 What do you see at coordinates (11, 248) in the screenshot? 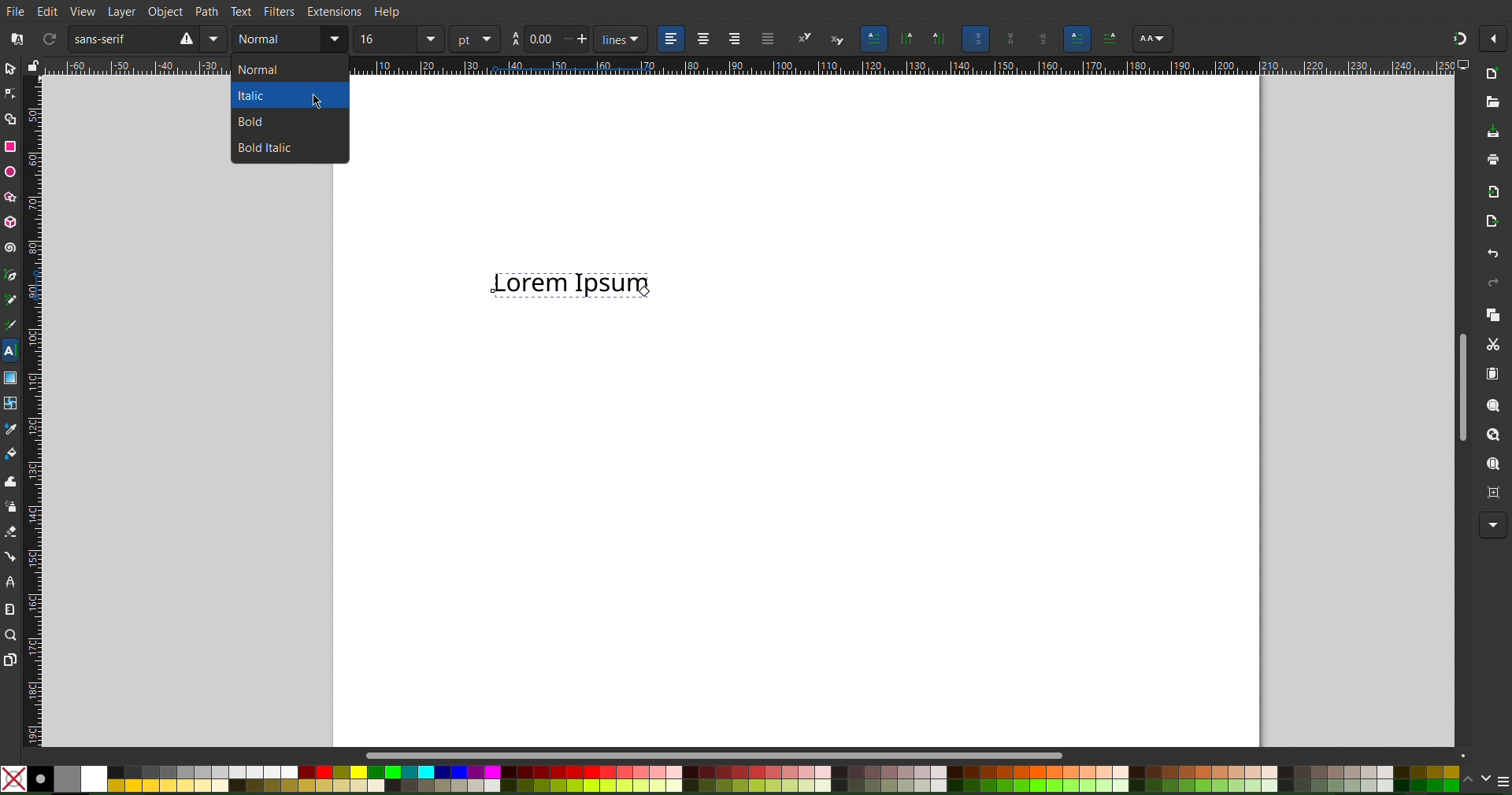
I see `Spiral` at bounding box center [11, 248].